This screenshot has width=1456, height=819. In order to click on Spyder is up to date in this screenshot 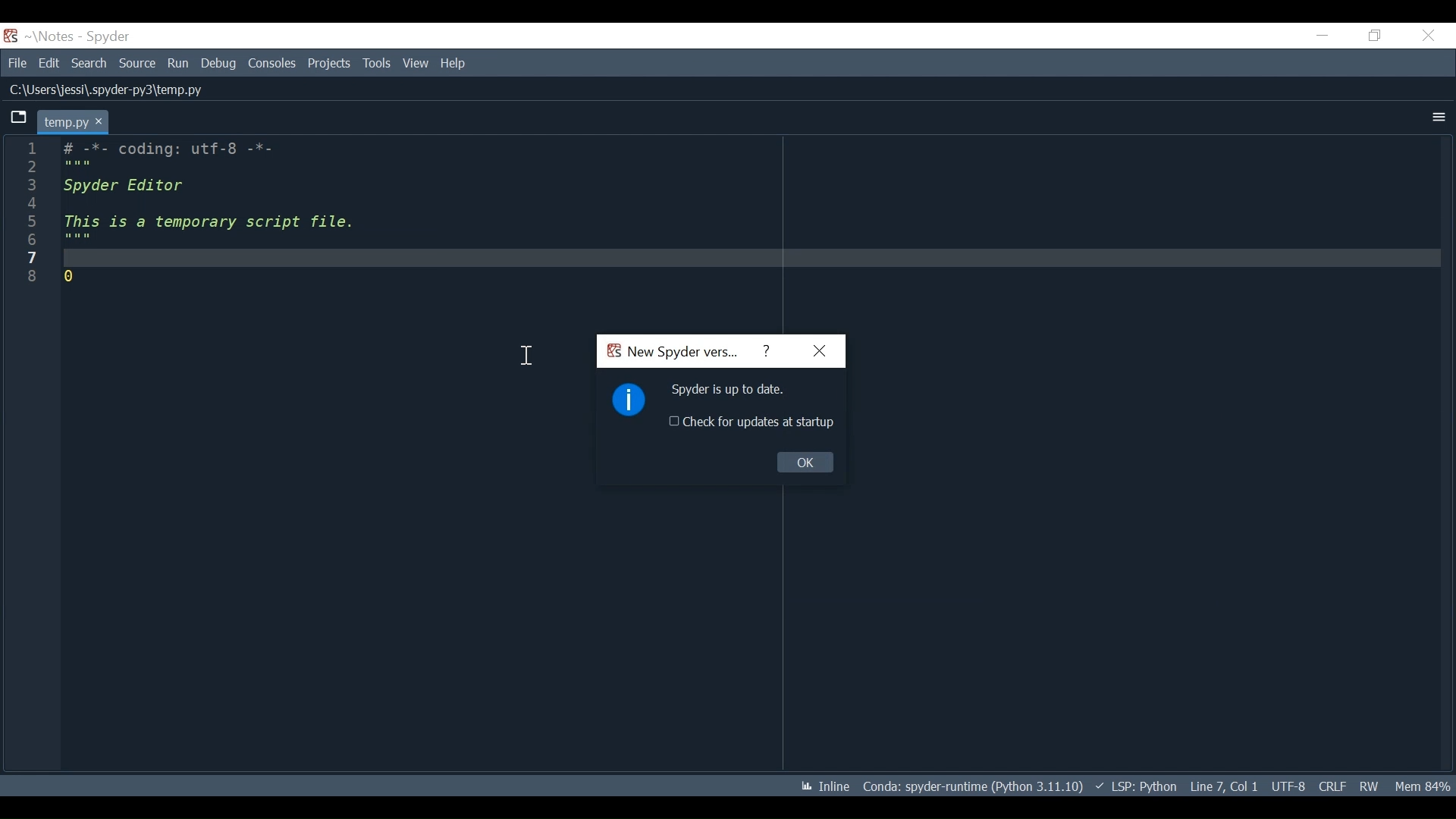, I will do `click(726, 390)`.